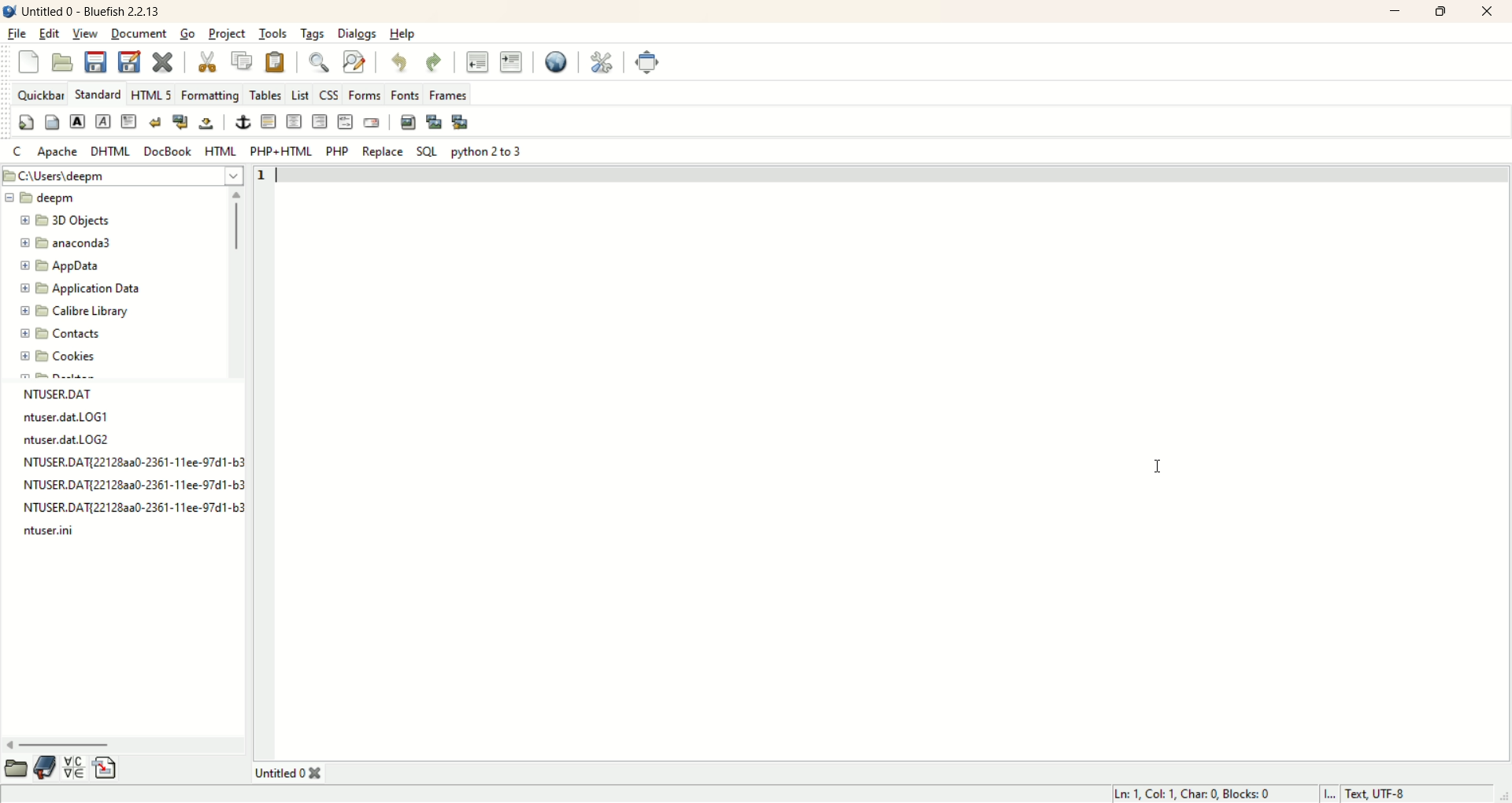 The height and width of the screenshot is (803, 1512). Describe the element at coordinates (354, 32) in the screenshot. I see `dialogs` at that location.